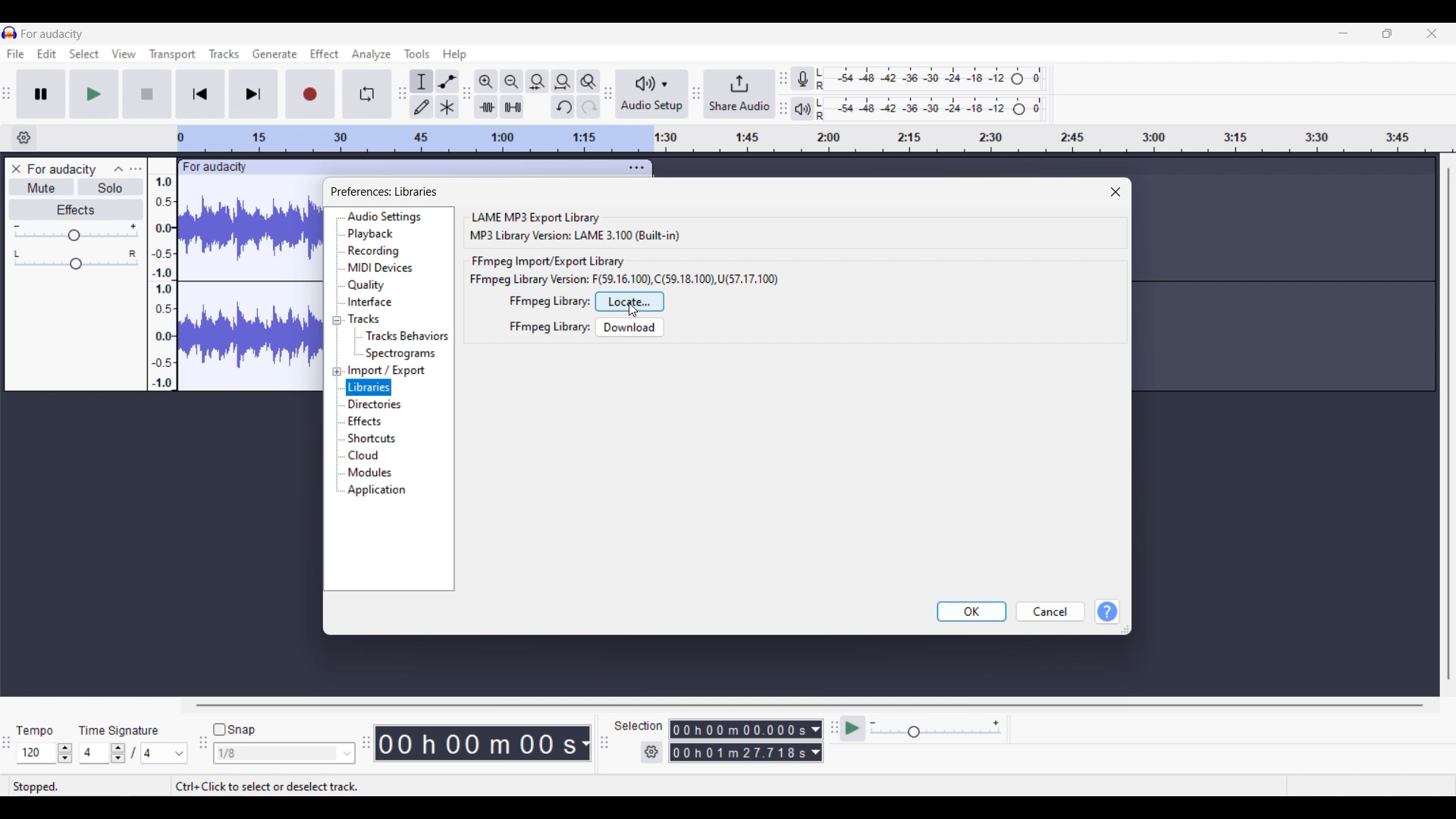 The image size is (1456, 819). Describe the element at coordinates (455, 55) in the screenshot. I see `Help menu` at that location.